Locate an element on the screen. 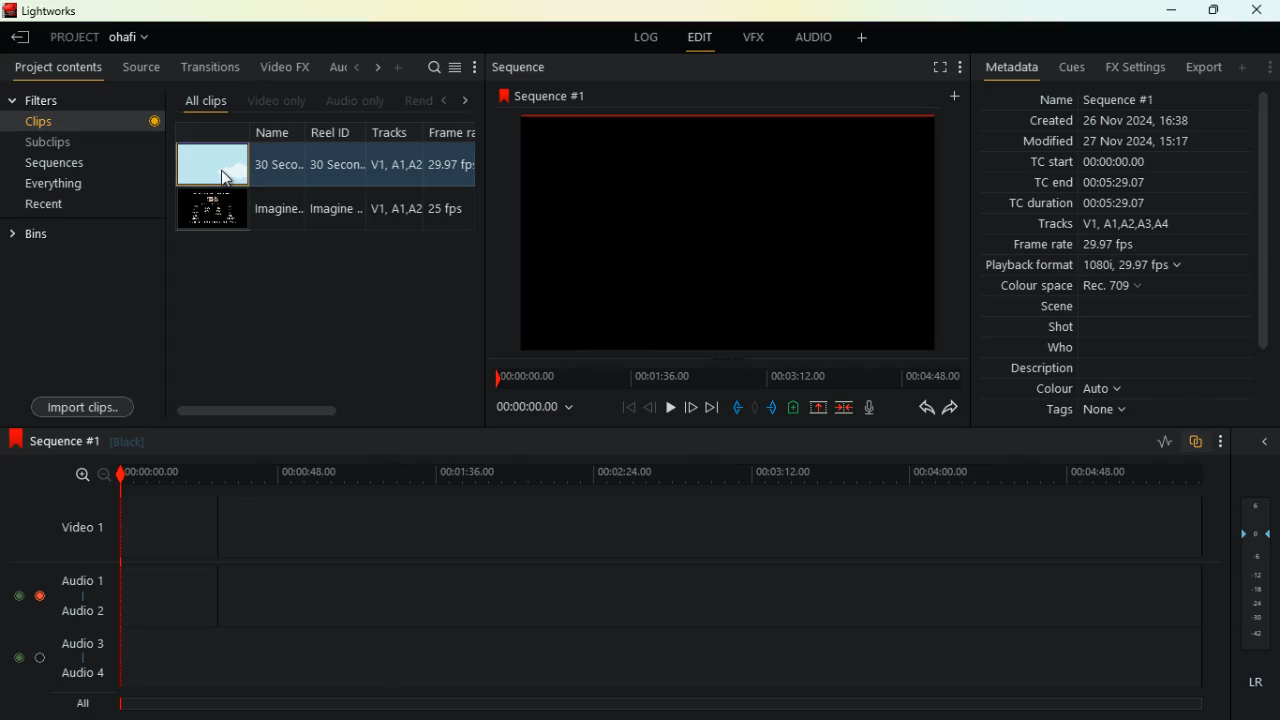 The image size is (1280, 720). video fx is located at coordinates (287, 67).